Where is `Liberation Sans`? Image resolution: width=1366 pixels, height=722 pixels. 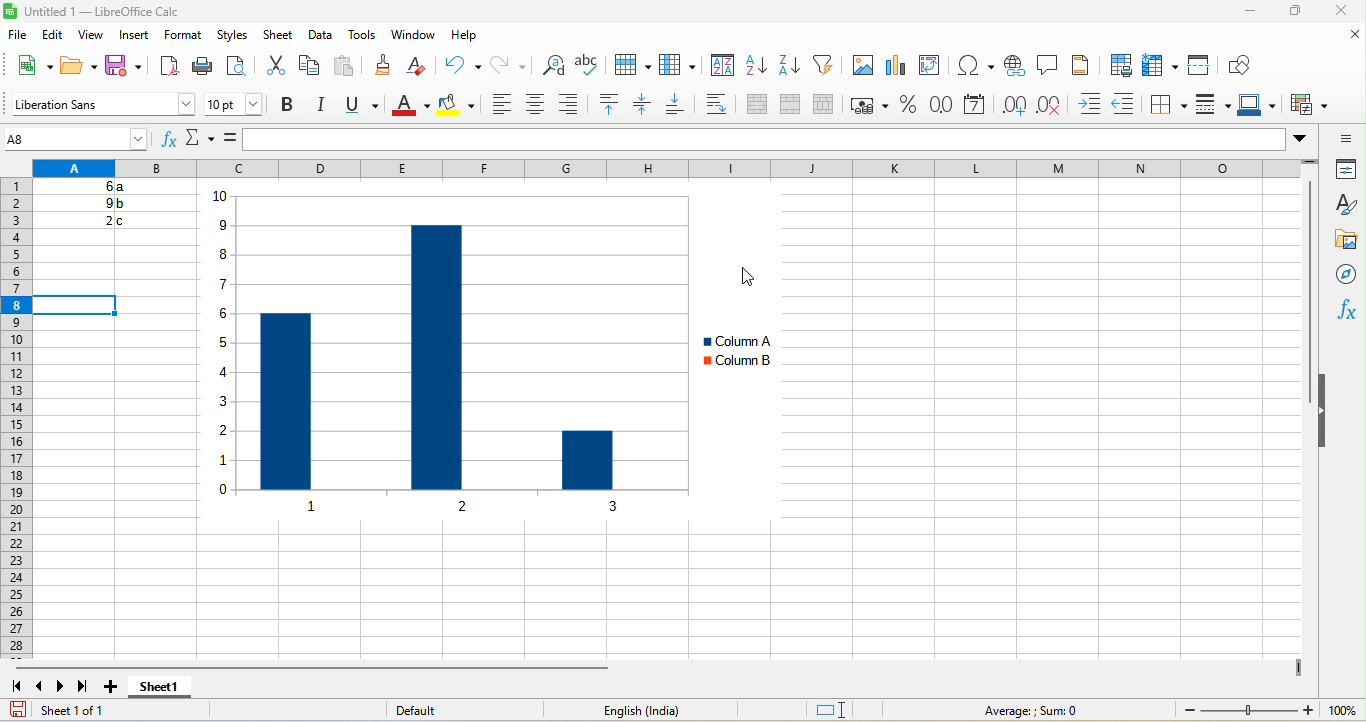
Liberation Sans is located at coordinates (105, 102).